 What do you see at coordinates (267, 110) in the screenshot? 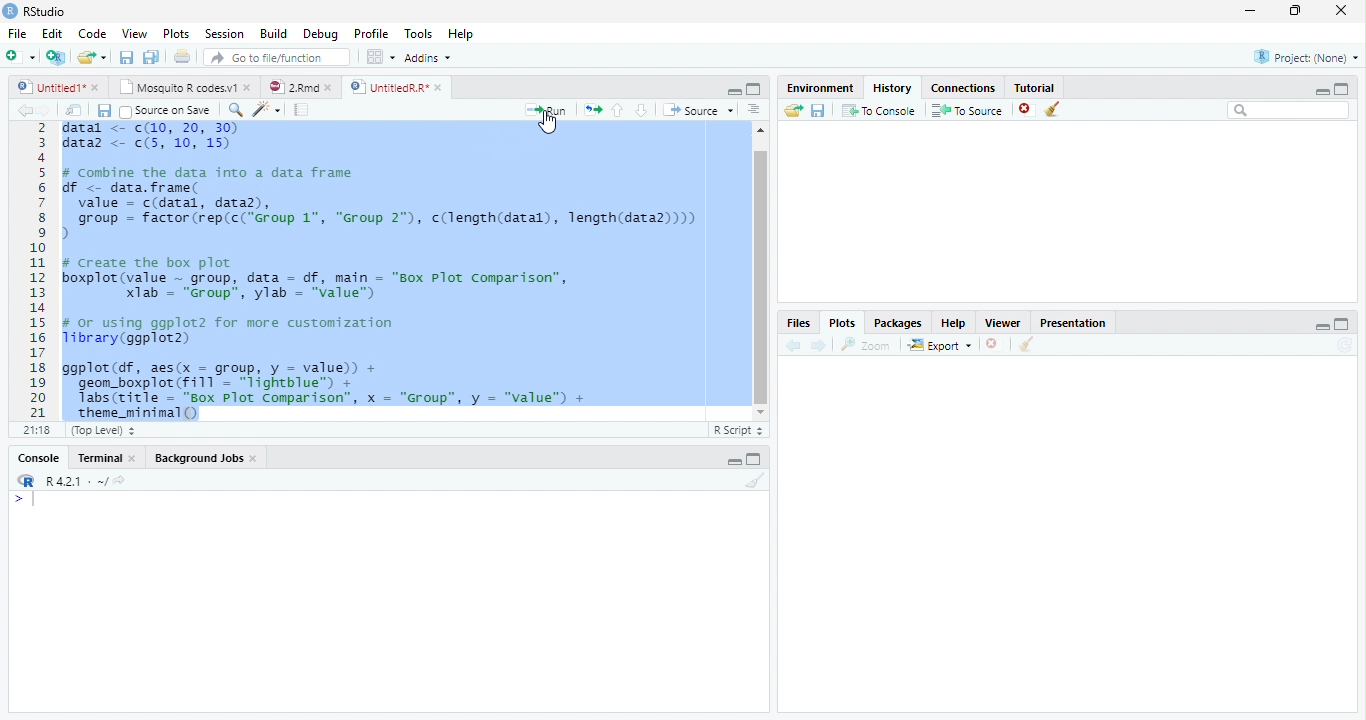
I see `Code tools` at bounding box center [267, 110].